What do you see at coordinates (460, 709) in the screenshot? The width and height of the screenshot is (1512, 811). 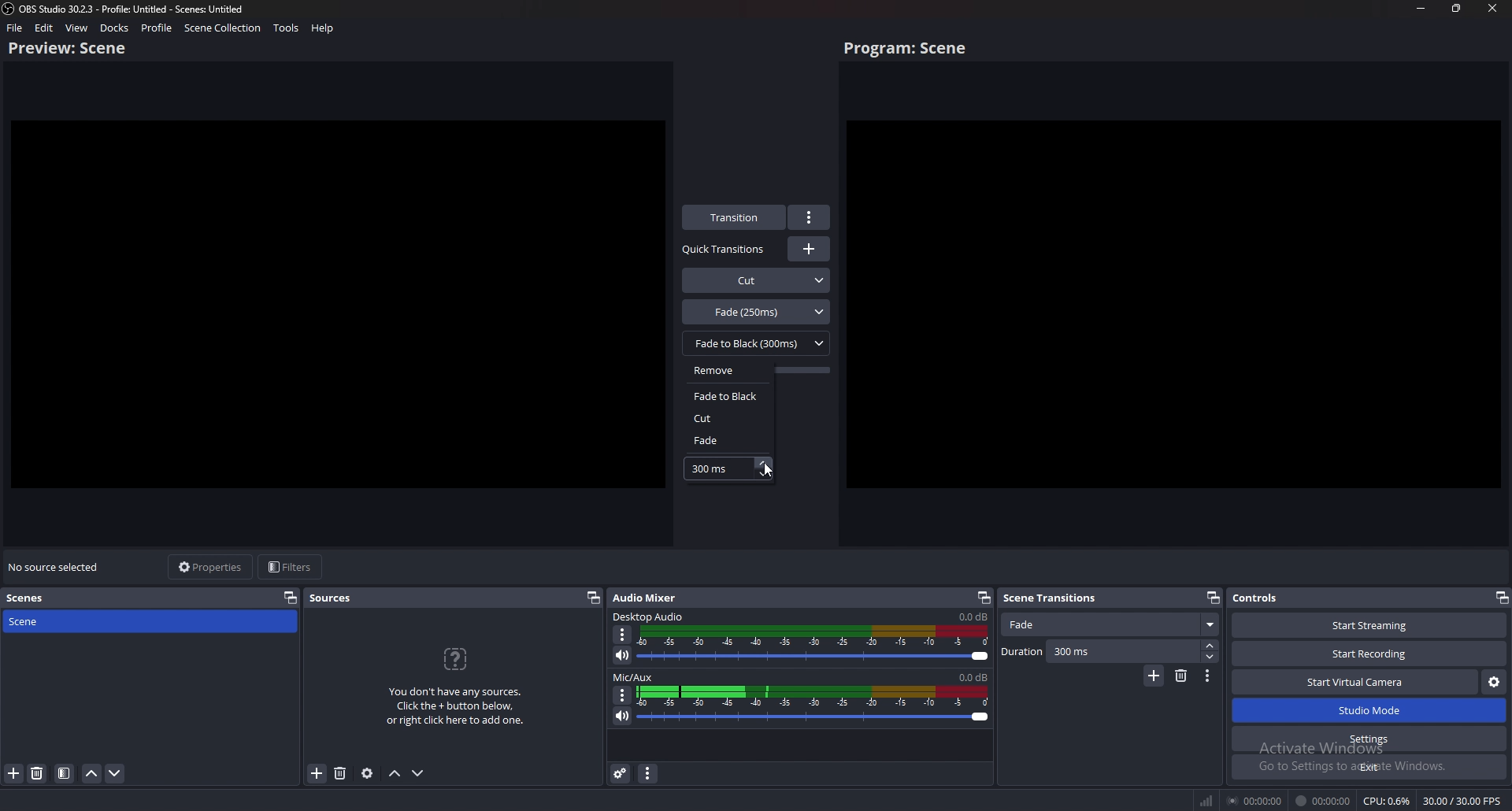 I see `You don't have any sources.
Click the + button below,
or right click here to add one.` at bounding box center [460, 709].